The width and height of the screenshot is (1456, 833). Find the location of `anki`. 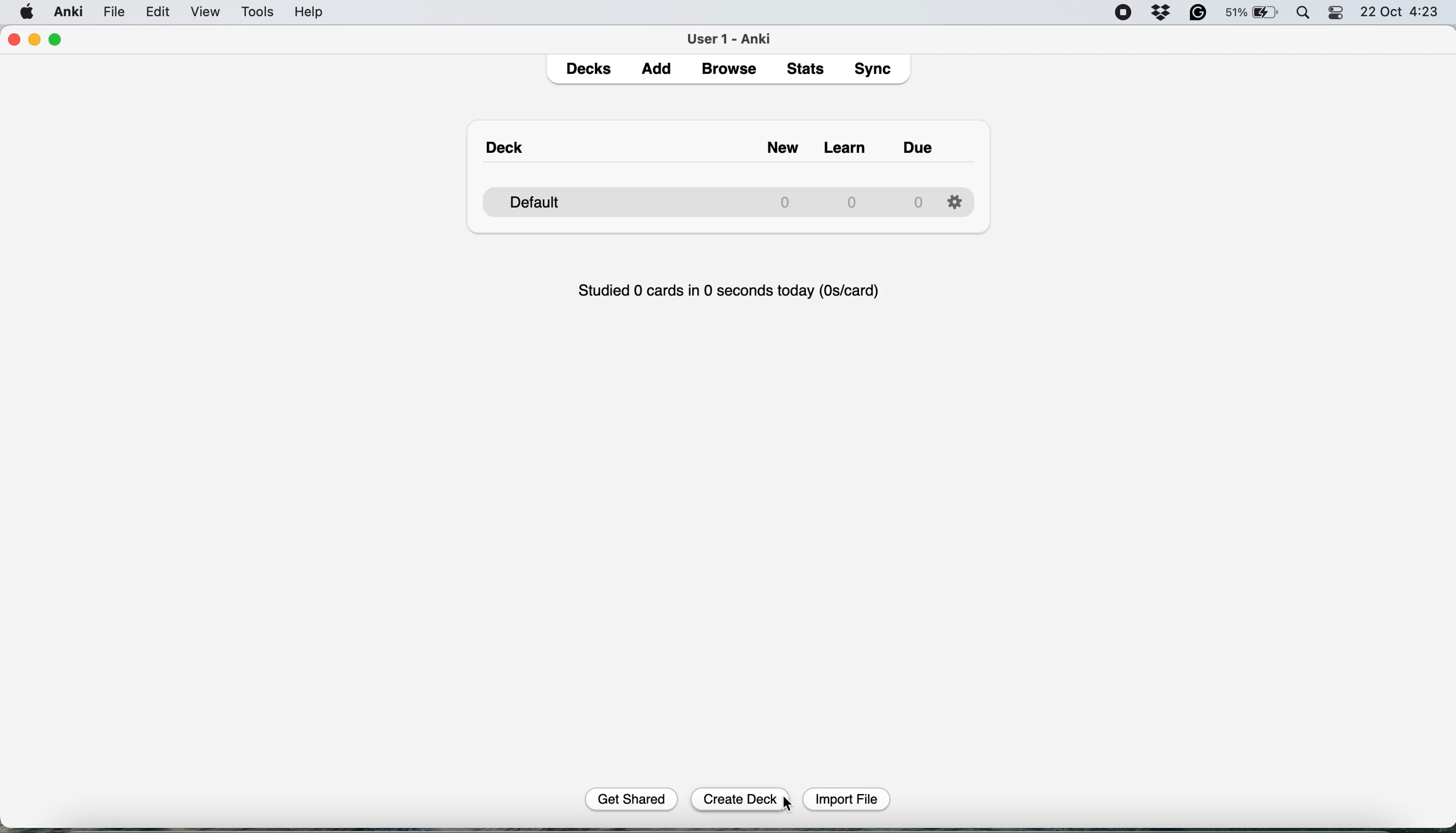

anki is located at coordinates (69, 13).